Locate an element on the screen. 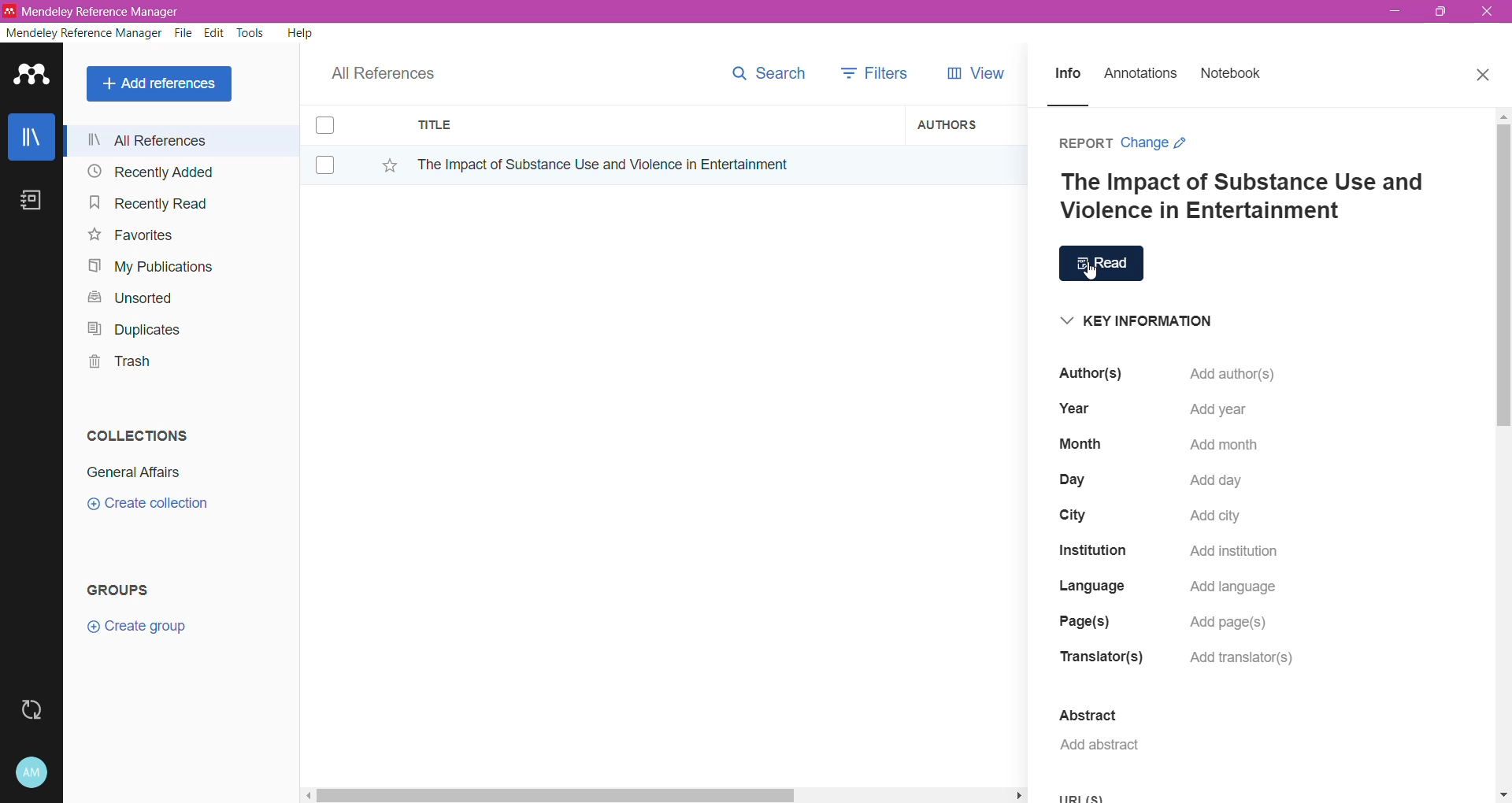 The image size is (1512, 803). Filters is located at coordinates (876, 74).